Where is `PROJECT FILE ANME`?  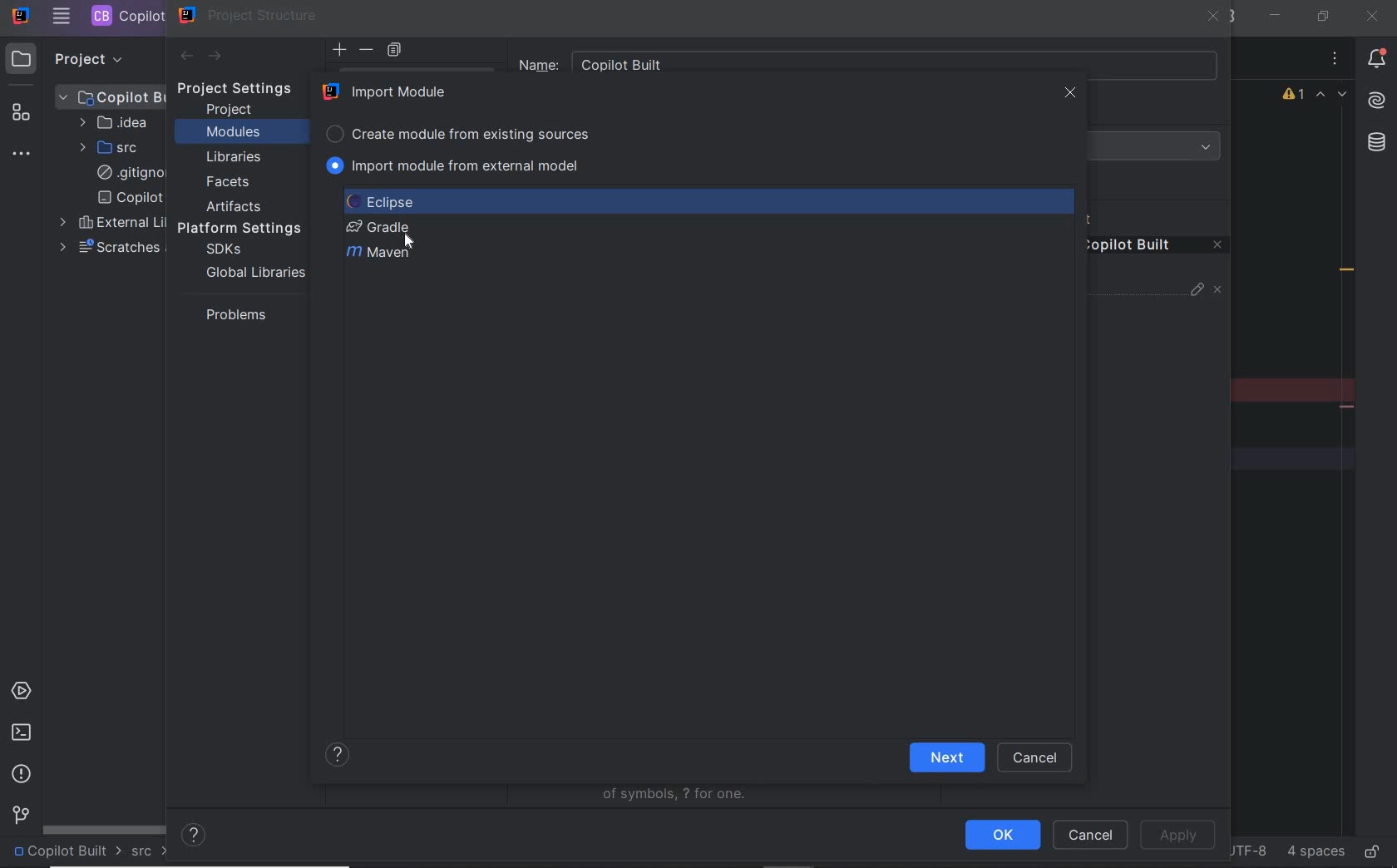
PROJECT FILE ANME is located at coordinates (112, 96).